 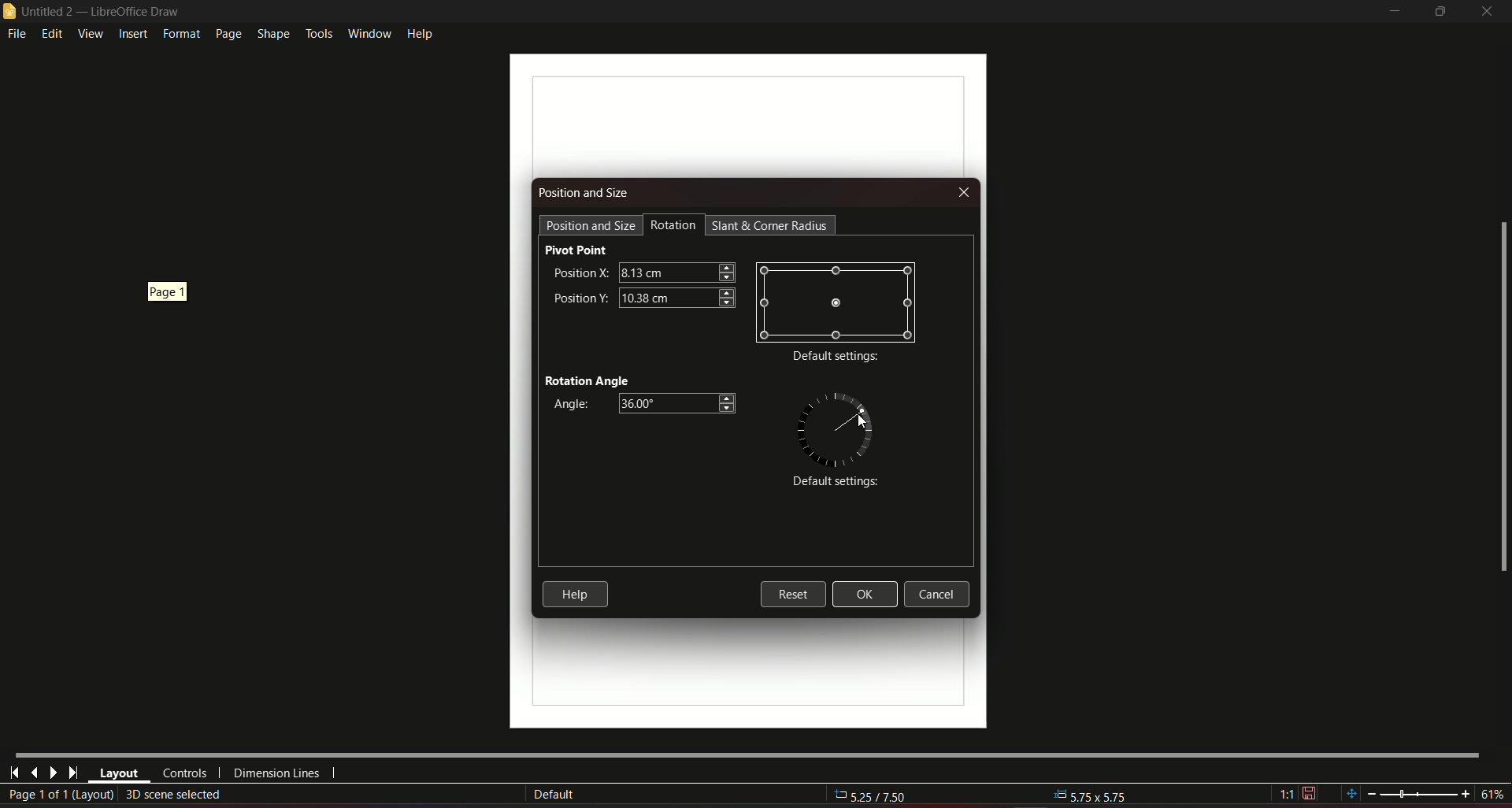 I want to click on dimension lines, so click(x=277, y=776).